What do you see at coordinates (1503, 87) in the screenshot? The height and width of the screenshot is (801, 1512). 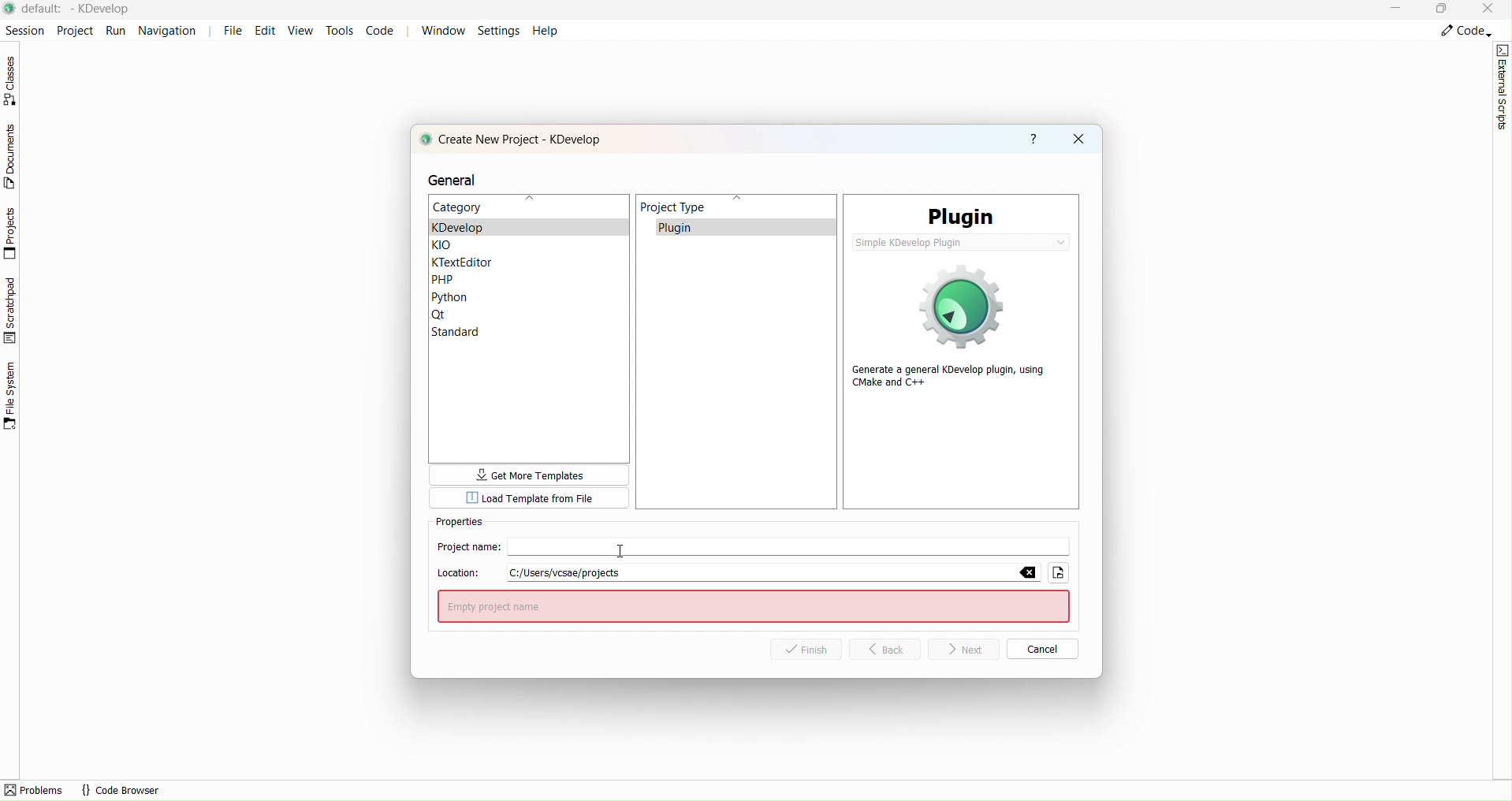 I see `External script` at bounding box center [1503, 87].